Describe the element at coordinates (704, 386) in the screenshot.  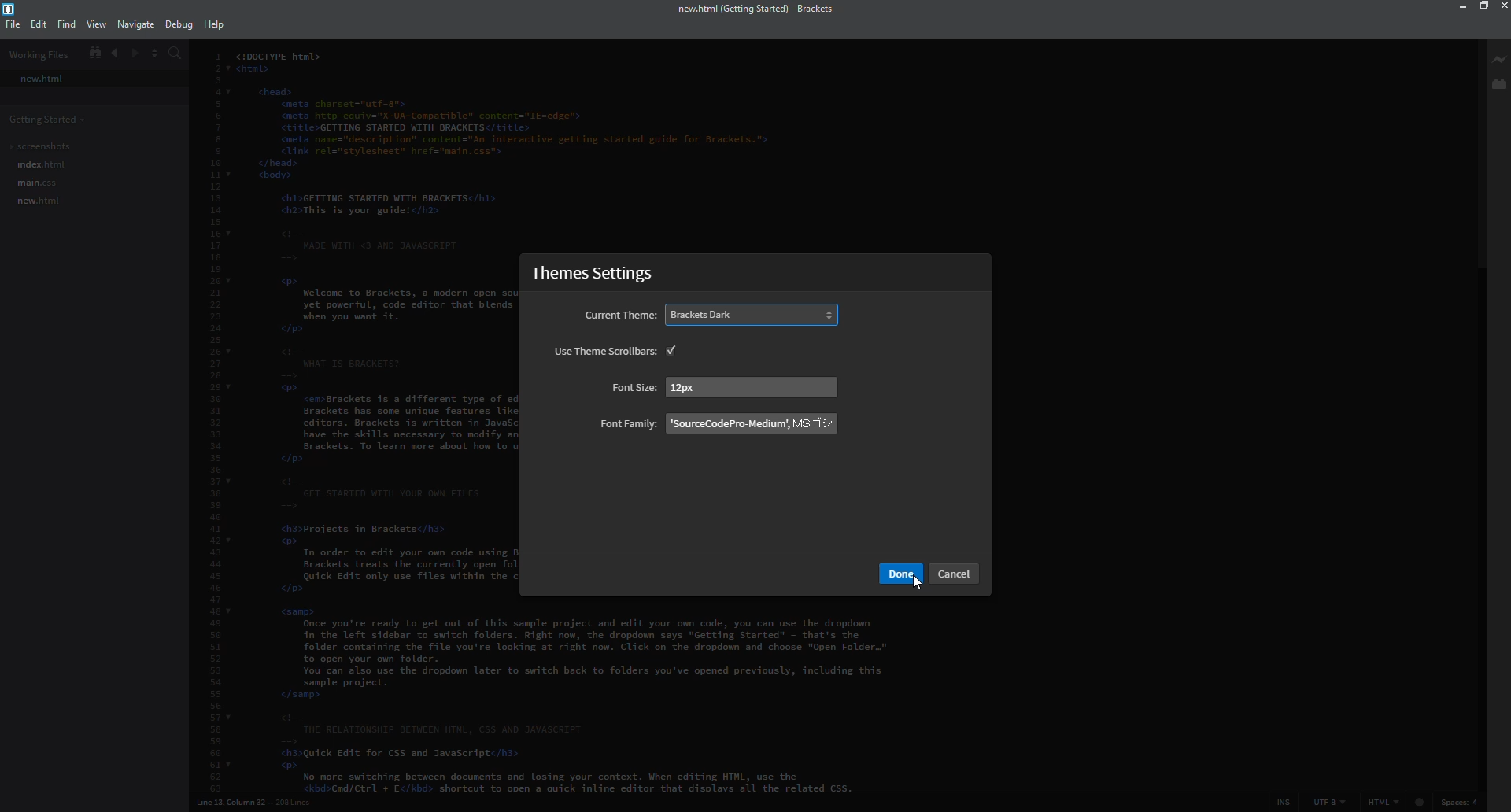
I see `size` at that location.